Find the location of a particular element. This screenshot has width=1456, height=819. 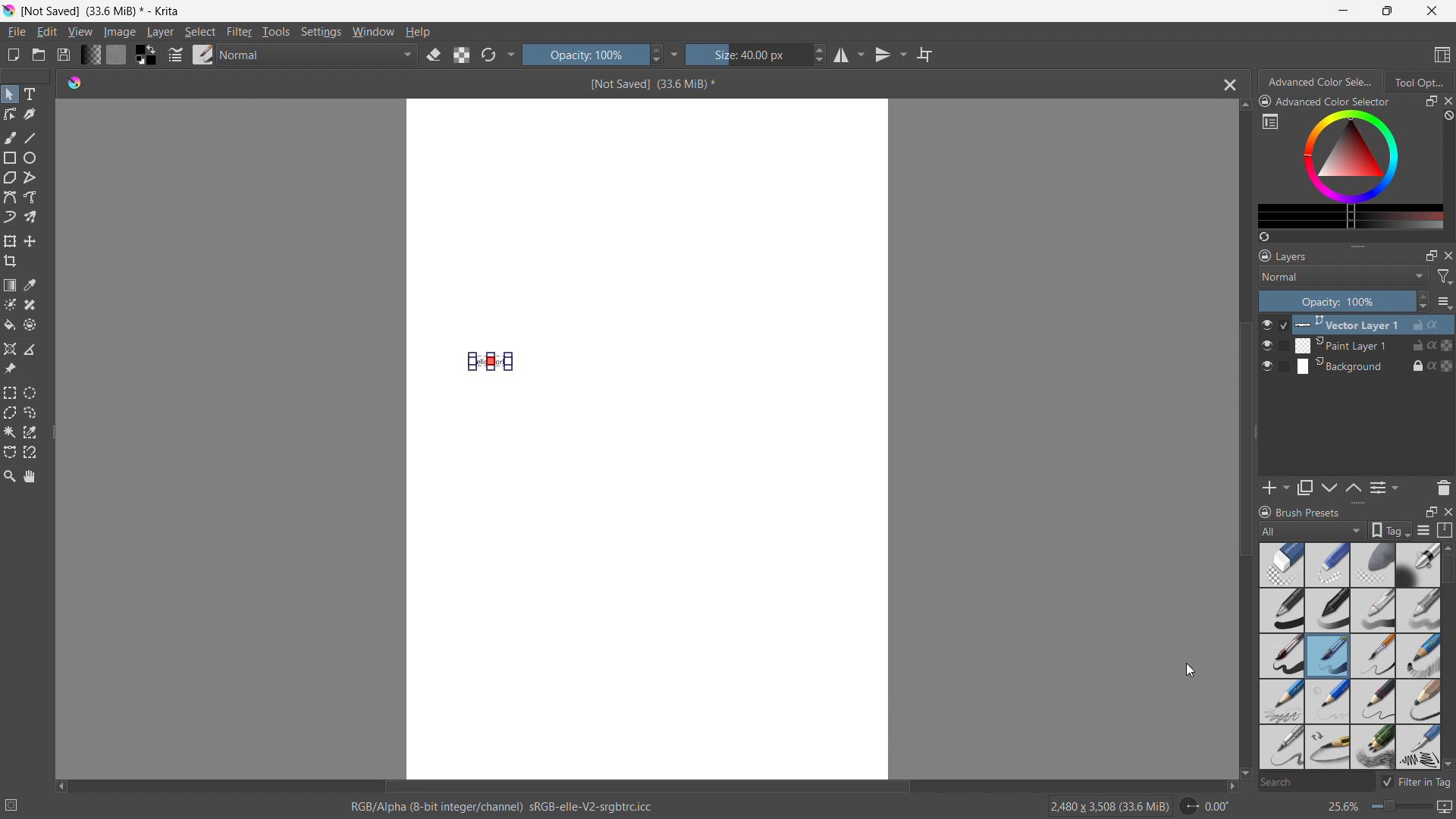

new is located at coordinates (13, 55).